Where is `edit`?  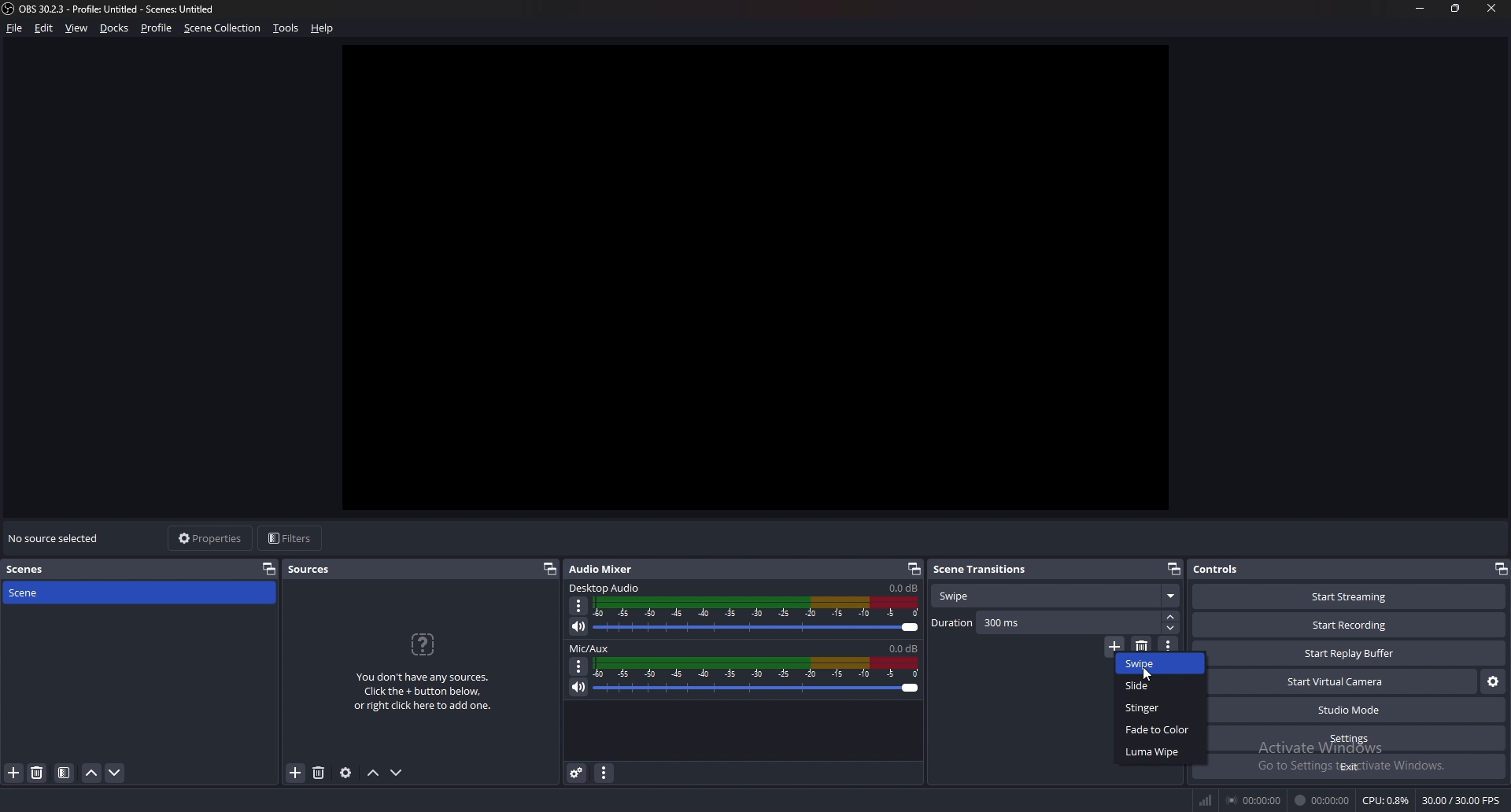
edit is located at coordinates (45, 28).